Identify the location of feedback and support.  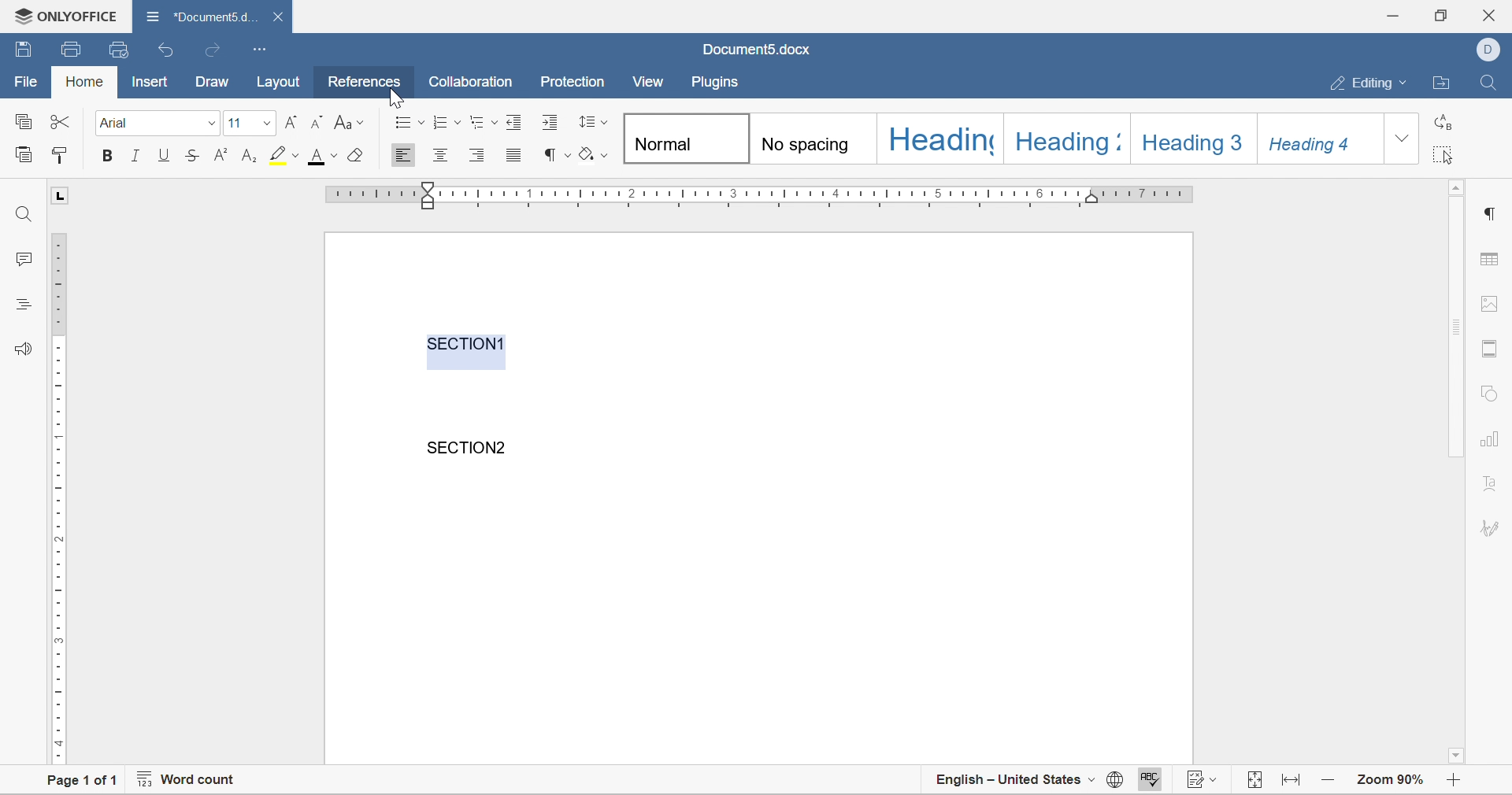
(24, 347).